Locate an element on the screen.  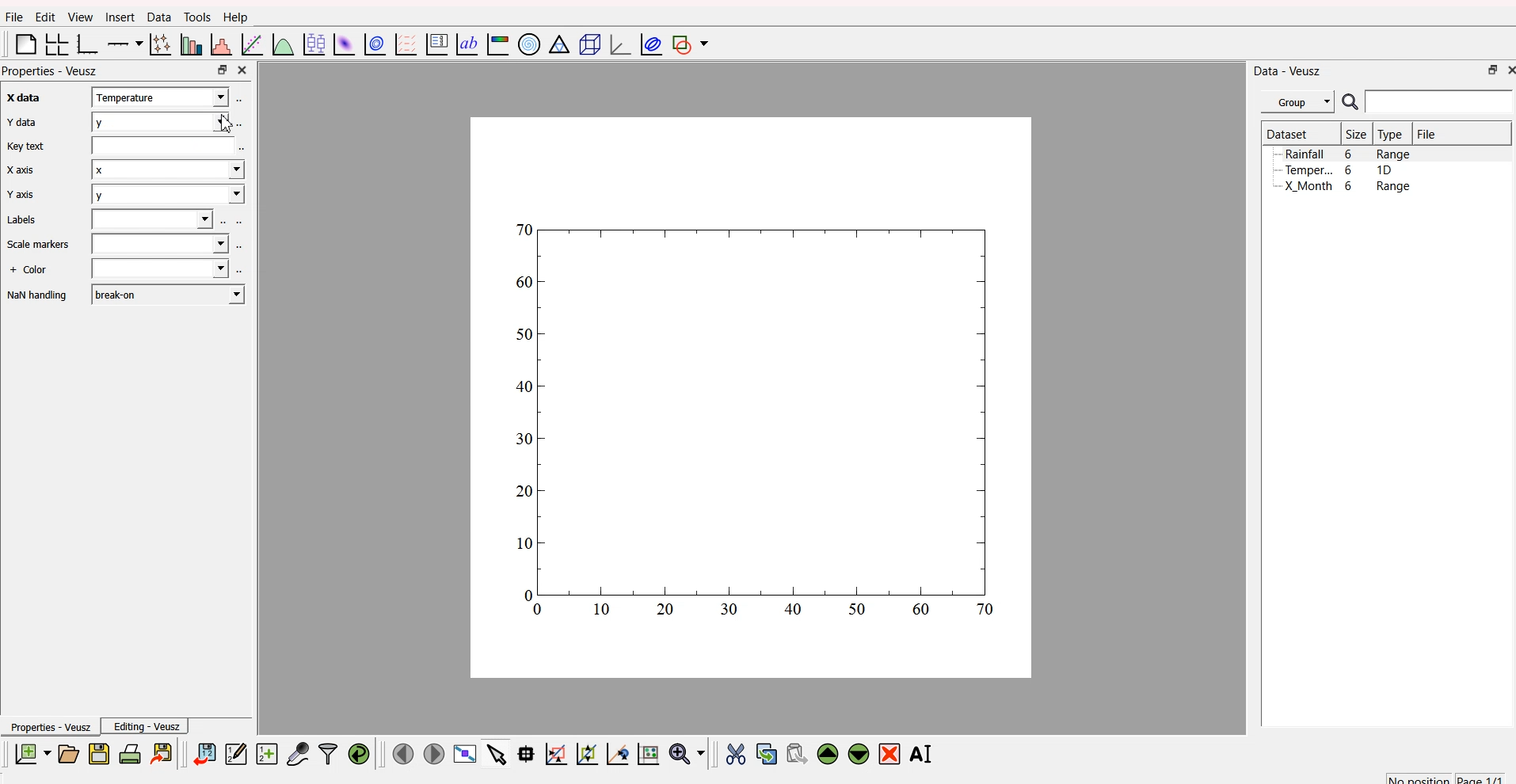
polar graph is located at coordinates (531, 42).